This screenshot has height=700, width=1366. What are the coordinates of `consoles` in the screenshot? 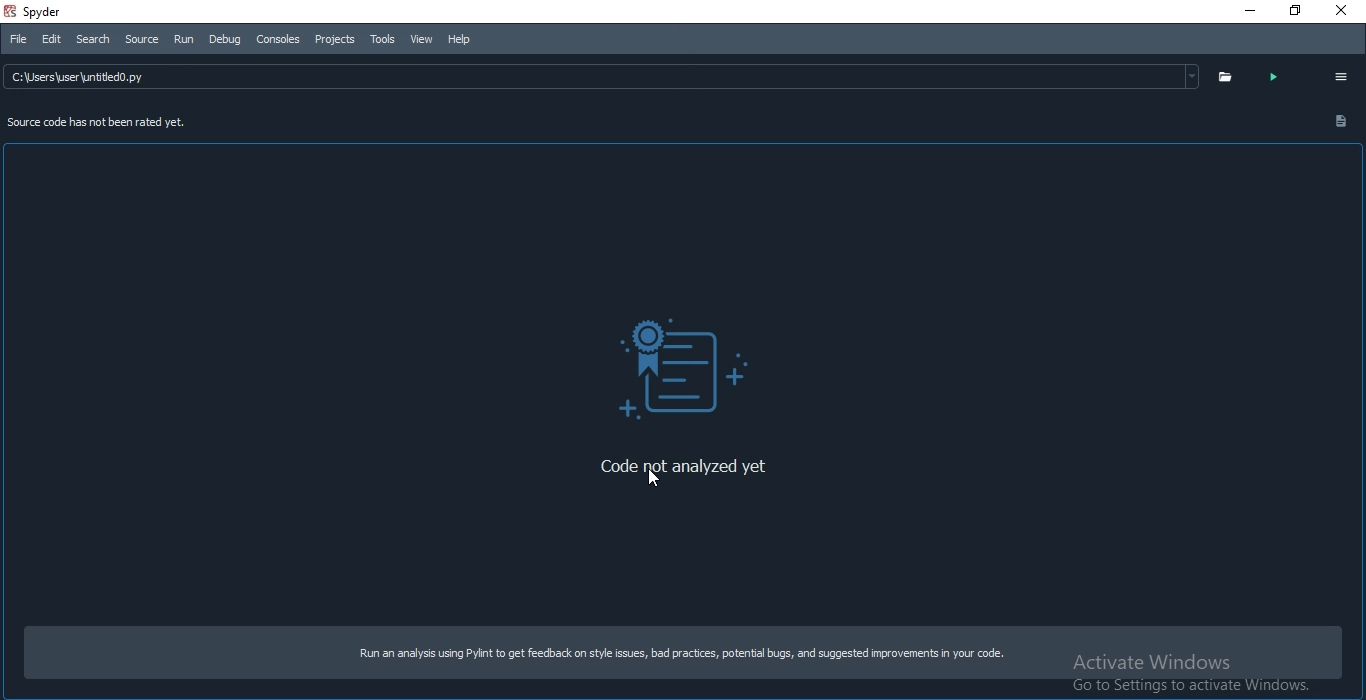 It's located at (276, 38).